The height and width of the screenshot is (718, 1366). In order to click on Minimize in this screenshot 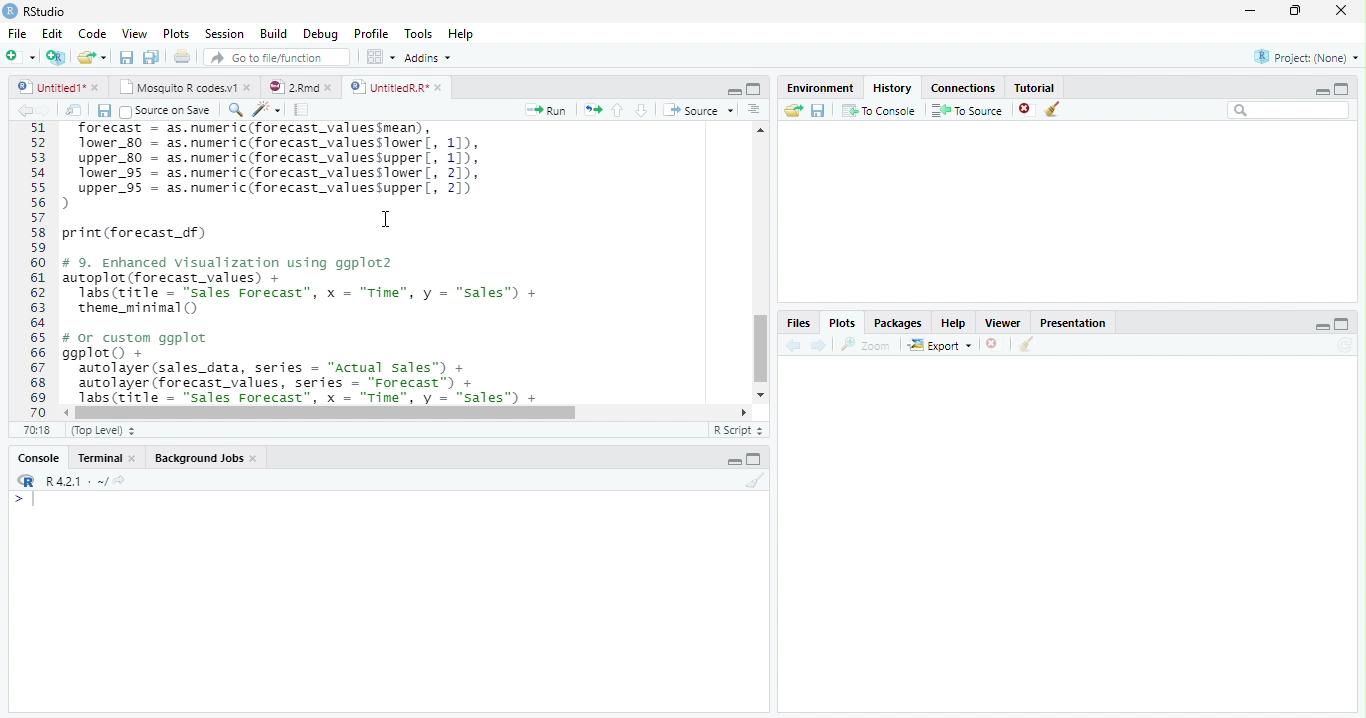, I will do `click(1318, 326)`.